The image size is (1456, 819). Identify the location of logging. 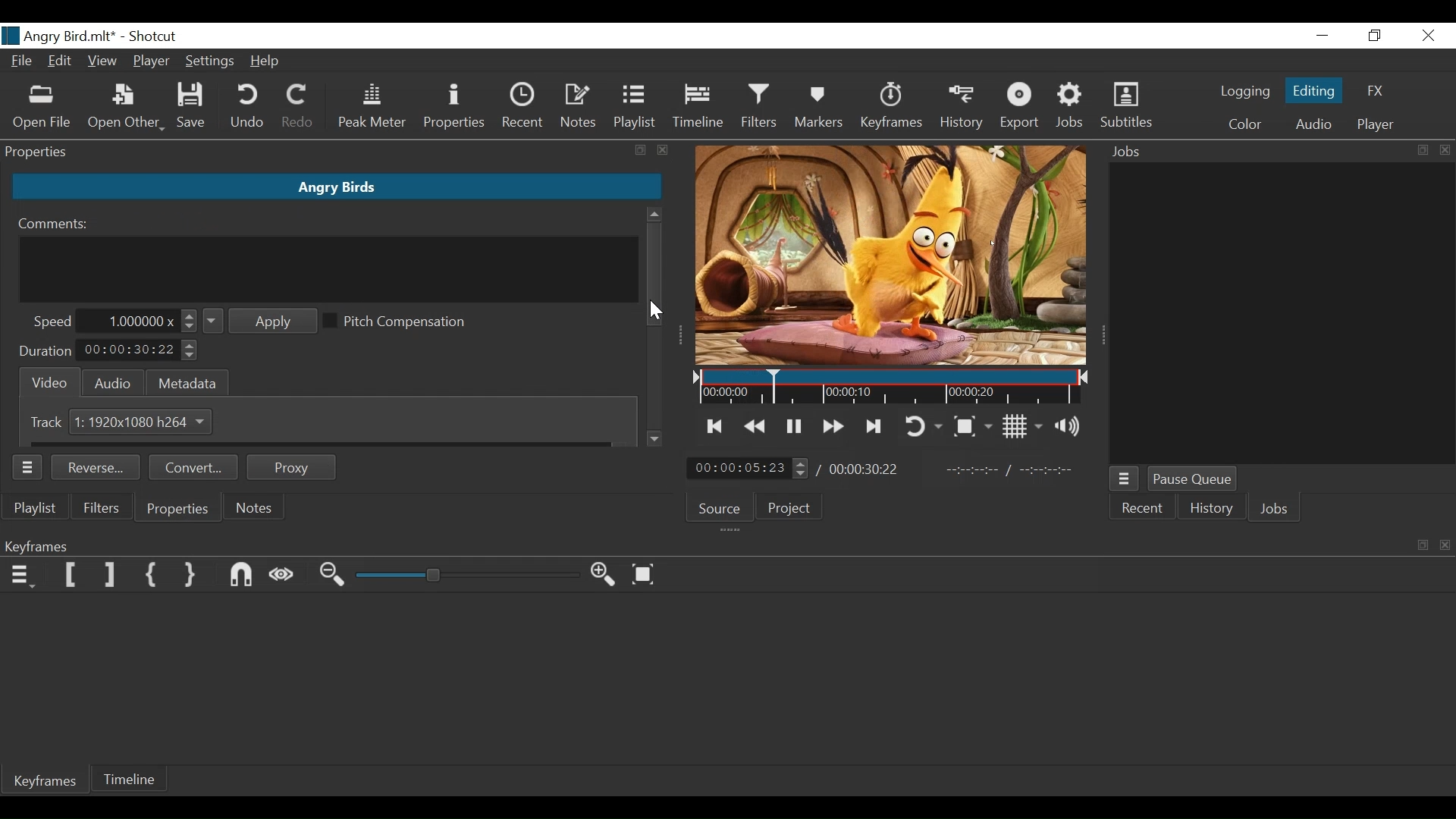
(1241, 93).